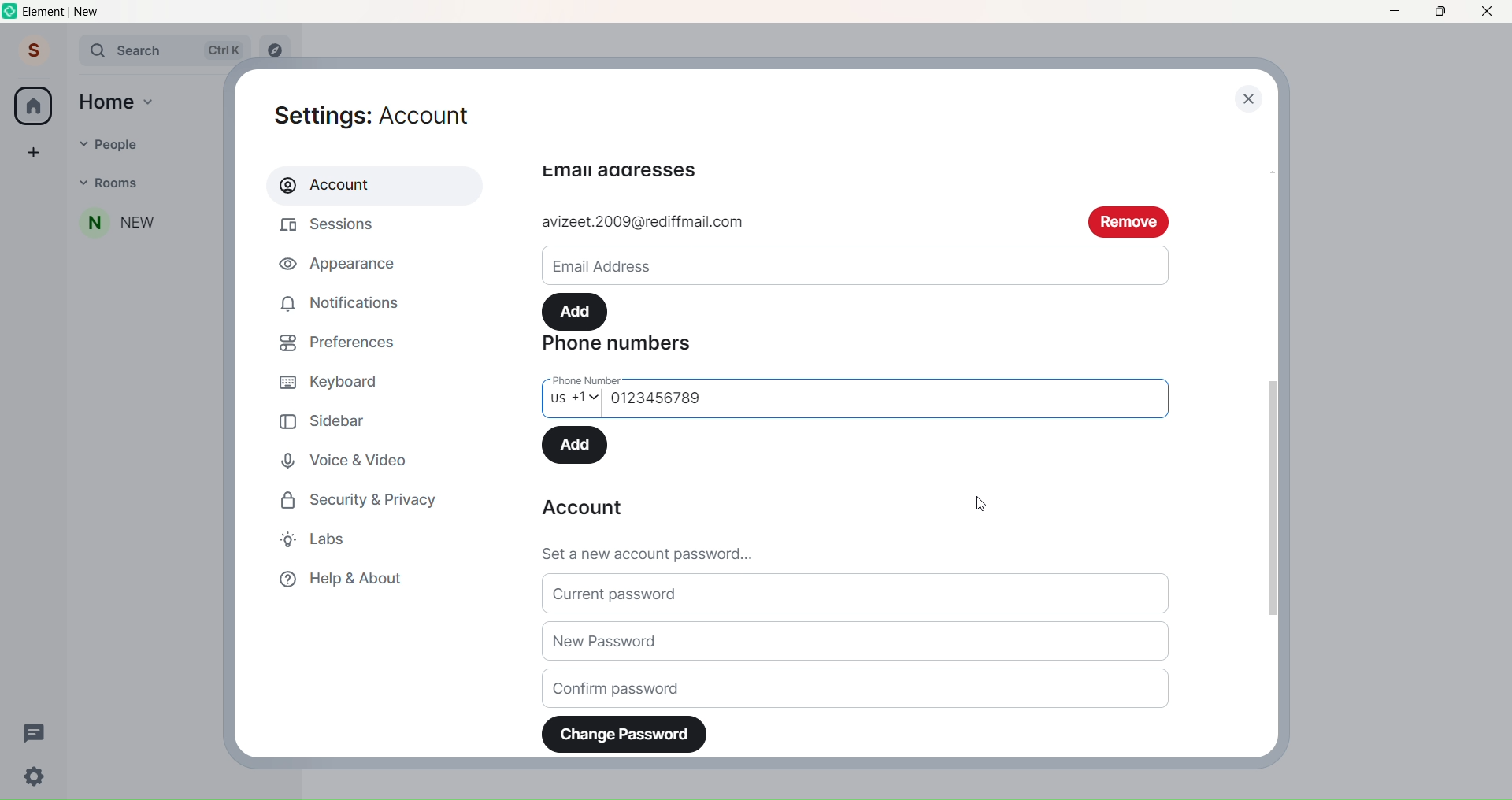 Image resolution: width=1512 pixels, height=800 pixels. What do you see at coordinates (1394, 12) in the screenshot?
I see `Minimize` at bounding box center [1394, 12].